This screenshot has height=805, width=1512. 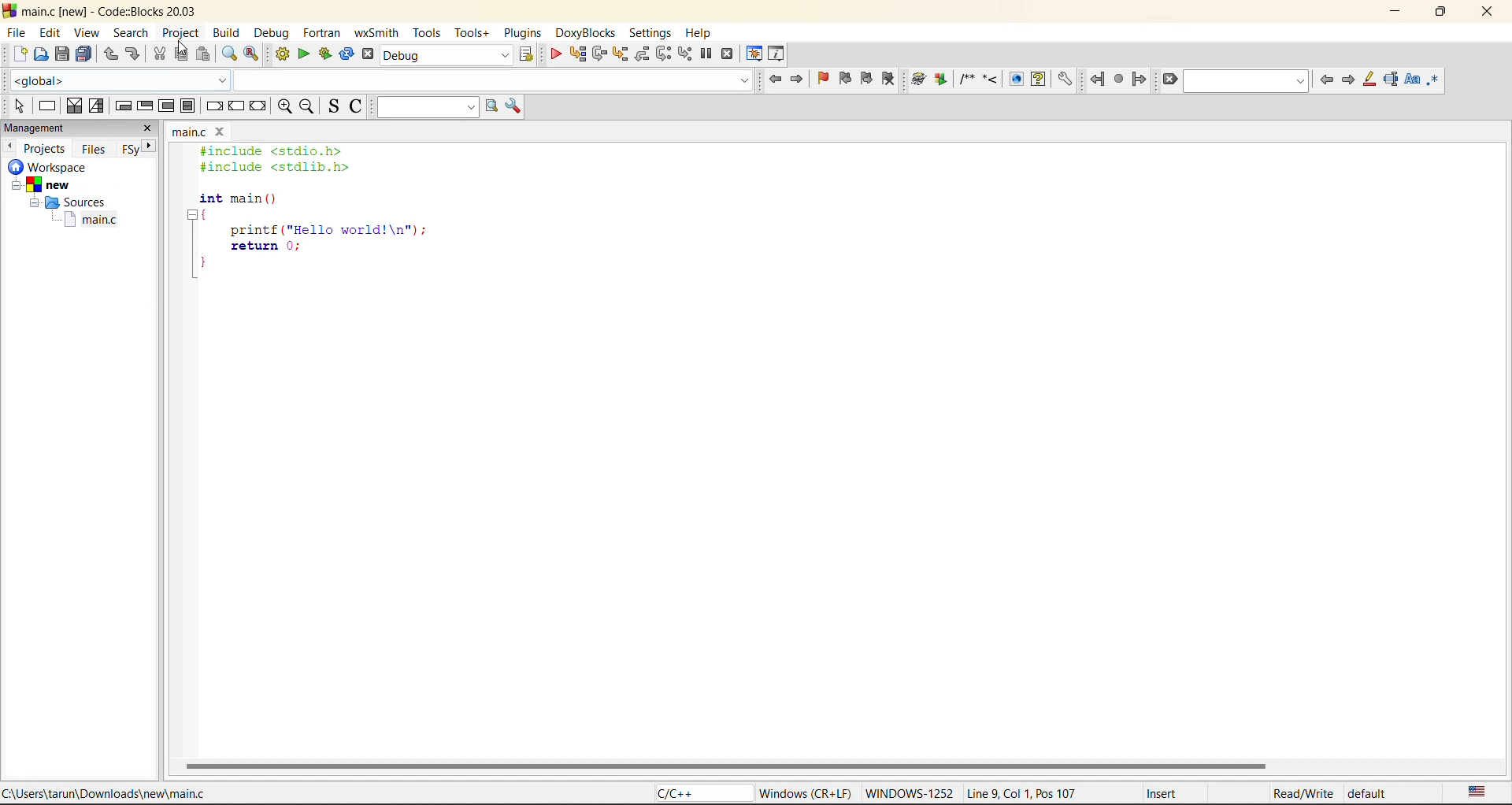 I want to click on save everything, so click(x=85, y=54).